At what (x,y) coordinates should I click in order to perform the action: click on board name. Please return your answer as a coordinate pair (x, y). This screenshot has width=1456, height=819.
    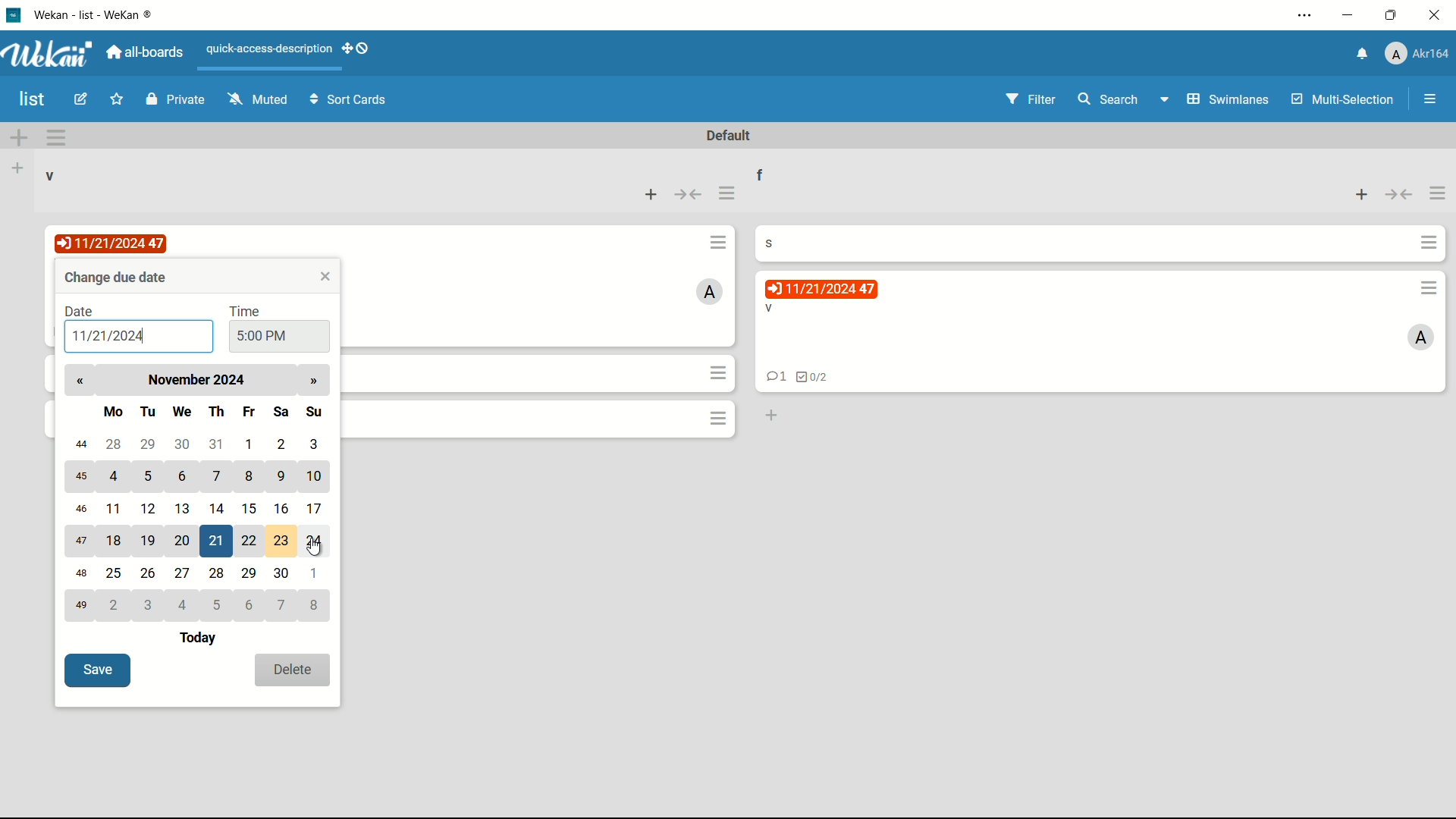
    Looking at the image, I should click on (33, 99).